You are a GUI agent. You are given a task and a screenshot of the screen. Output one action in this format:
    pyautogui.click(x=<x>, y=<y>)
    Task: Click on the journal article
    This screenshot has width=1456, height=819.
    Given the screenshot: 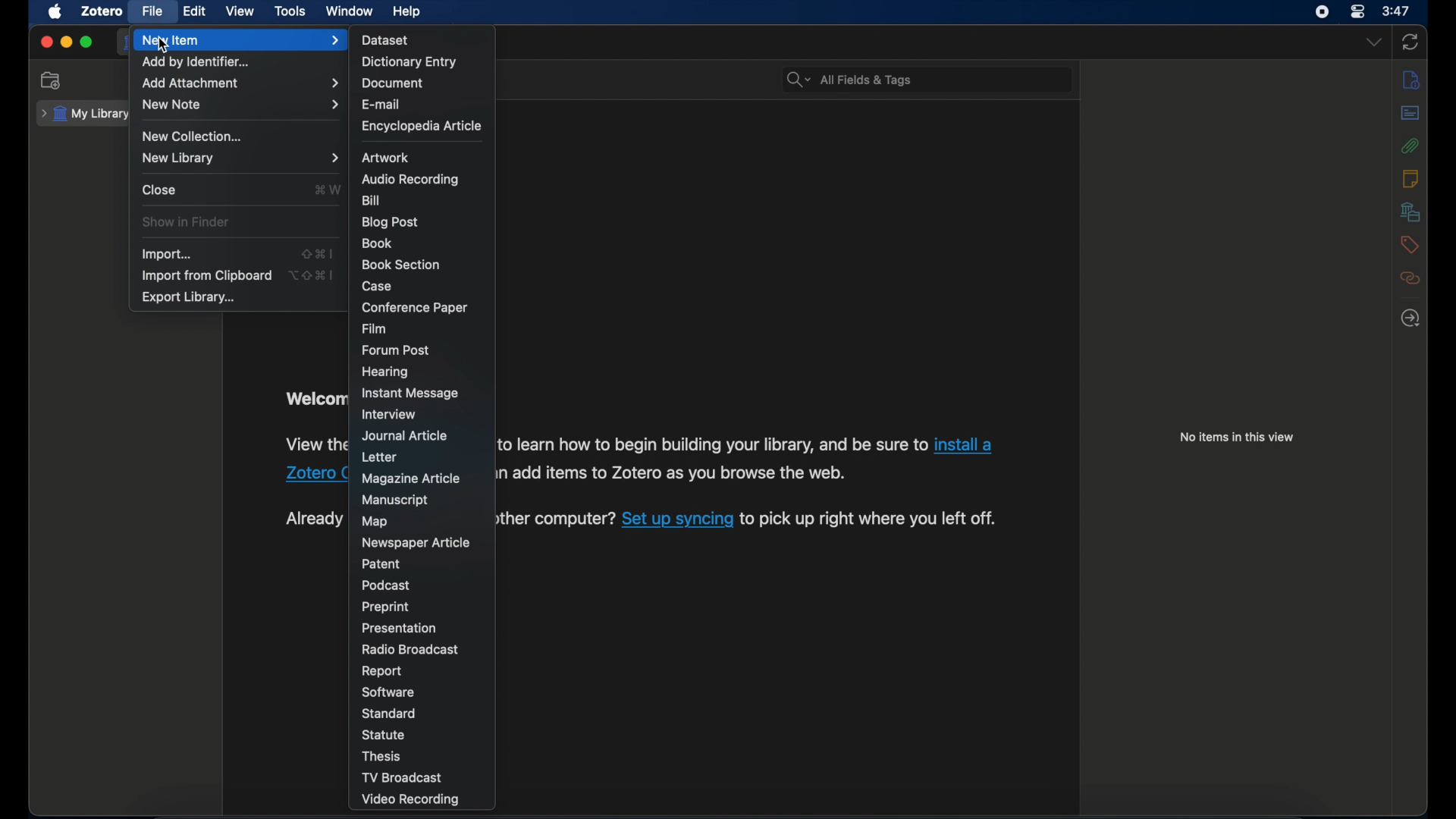 What is the action you would take?
    pyautogui.click(x=406, y=436)
    